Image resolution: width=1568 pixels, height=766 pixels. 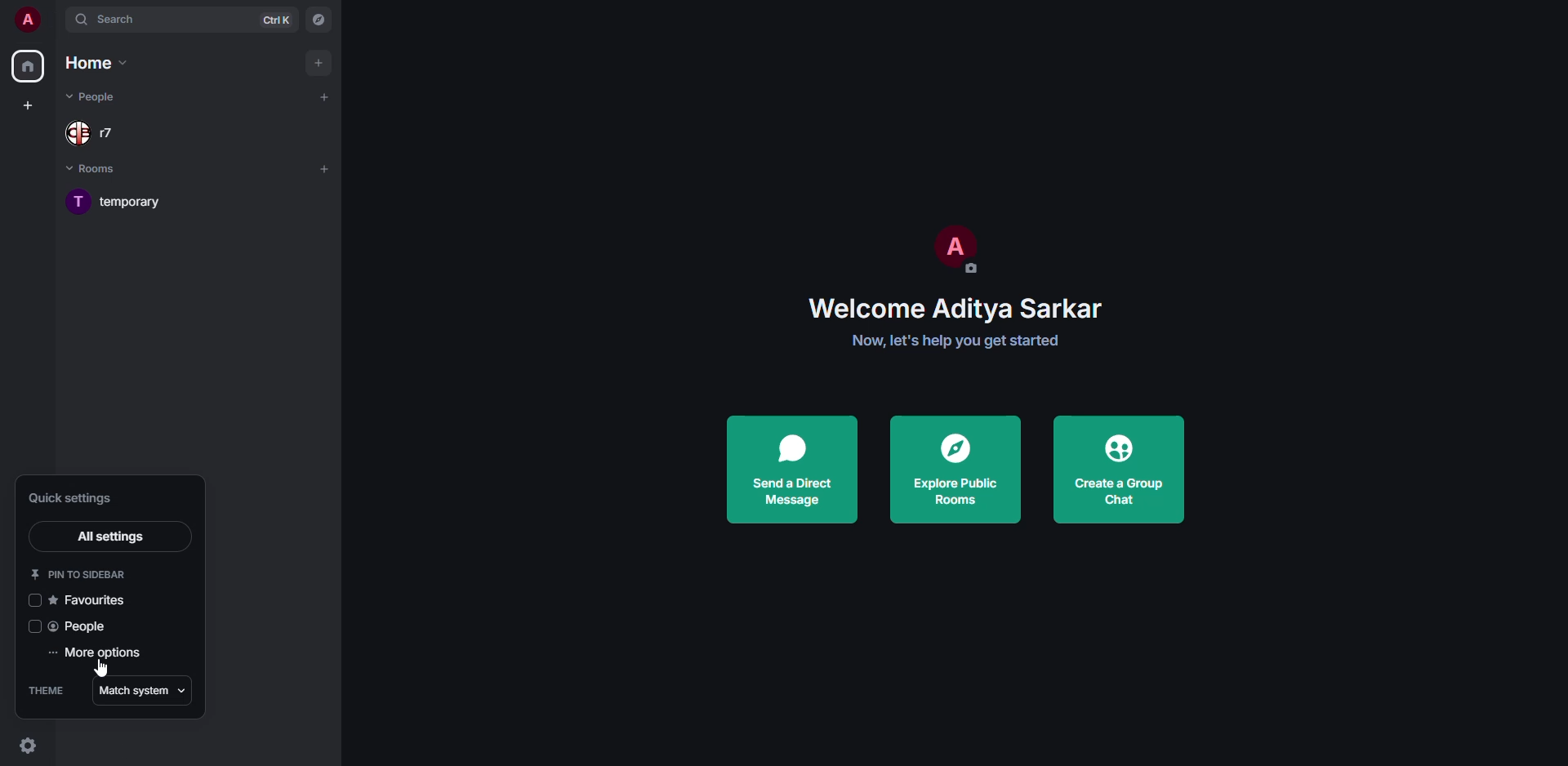 I want to click on room, so click(x=137, y=201).